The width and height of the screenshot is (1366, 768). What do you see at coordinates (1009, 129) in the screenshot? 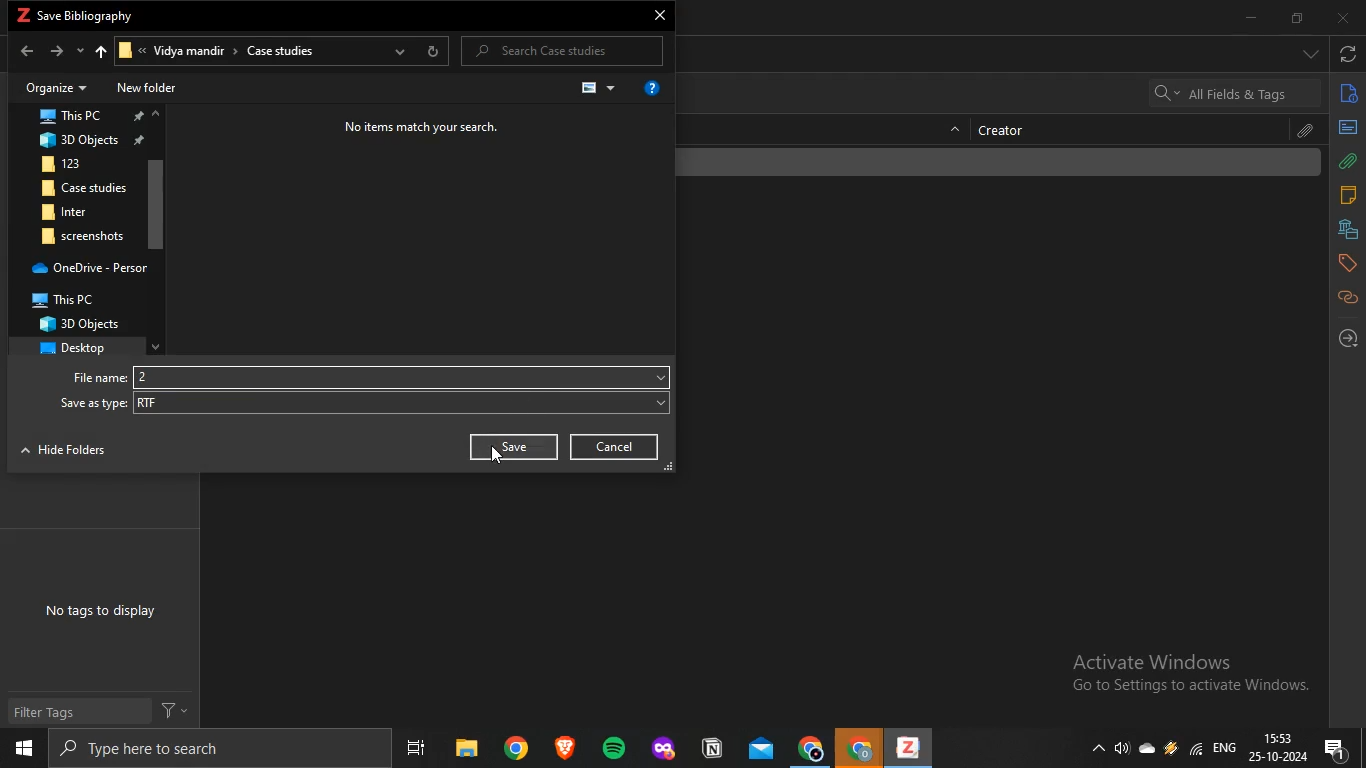
I see `creator` at bounding box center [1009, 129].